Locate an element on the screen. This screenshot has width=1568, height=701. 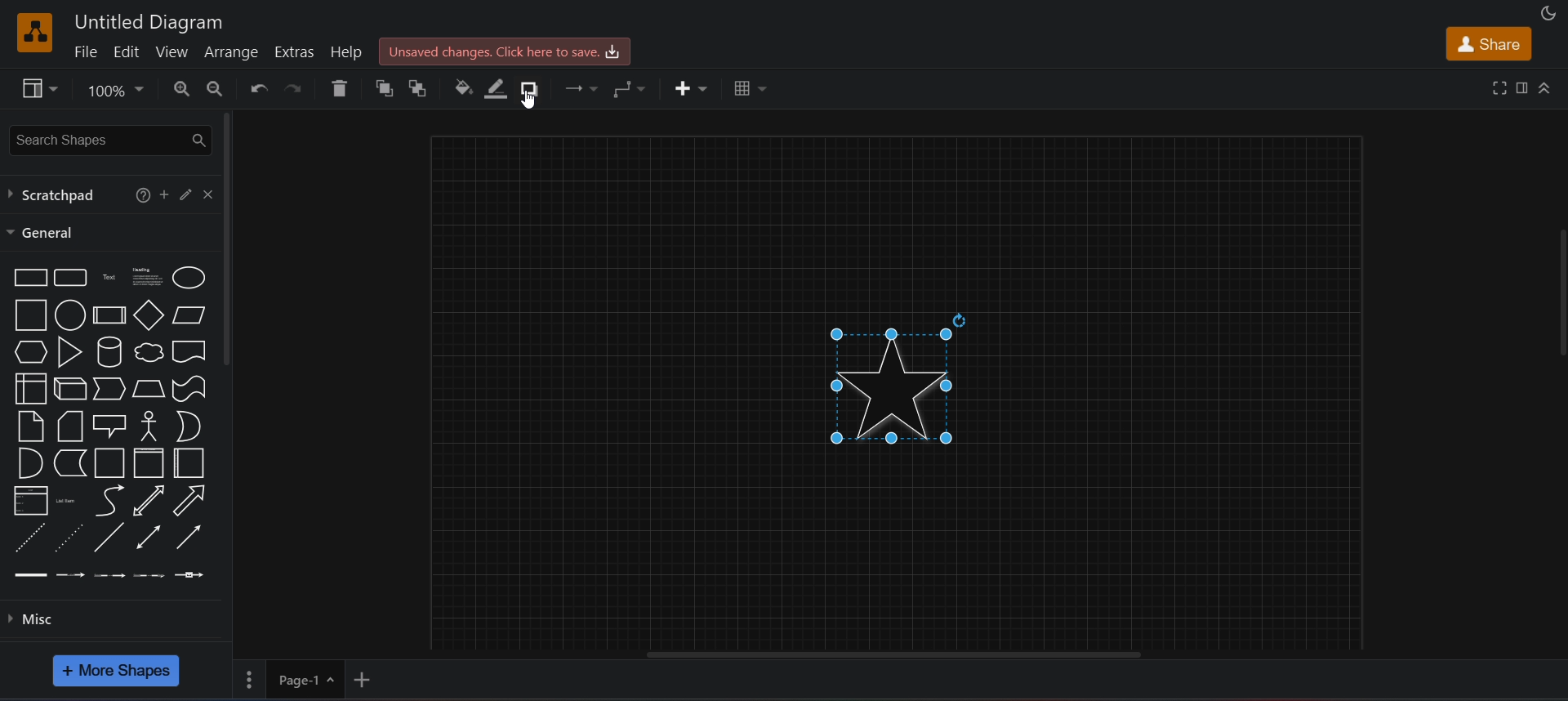
undo is located at coordinates (252, 87).